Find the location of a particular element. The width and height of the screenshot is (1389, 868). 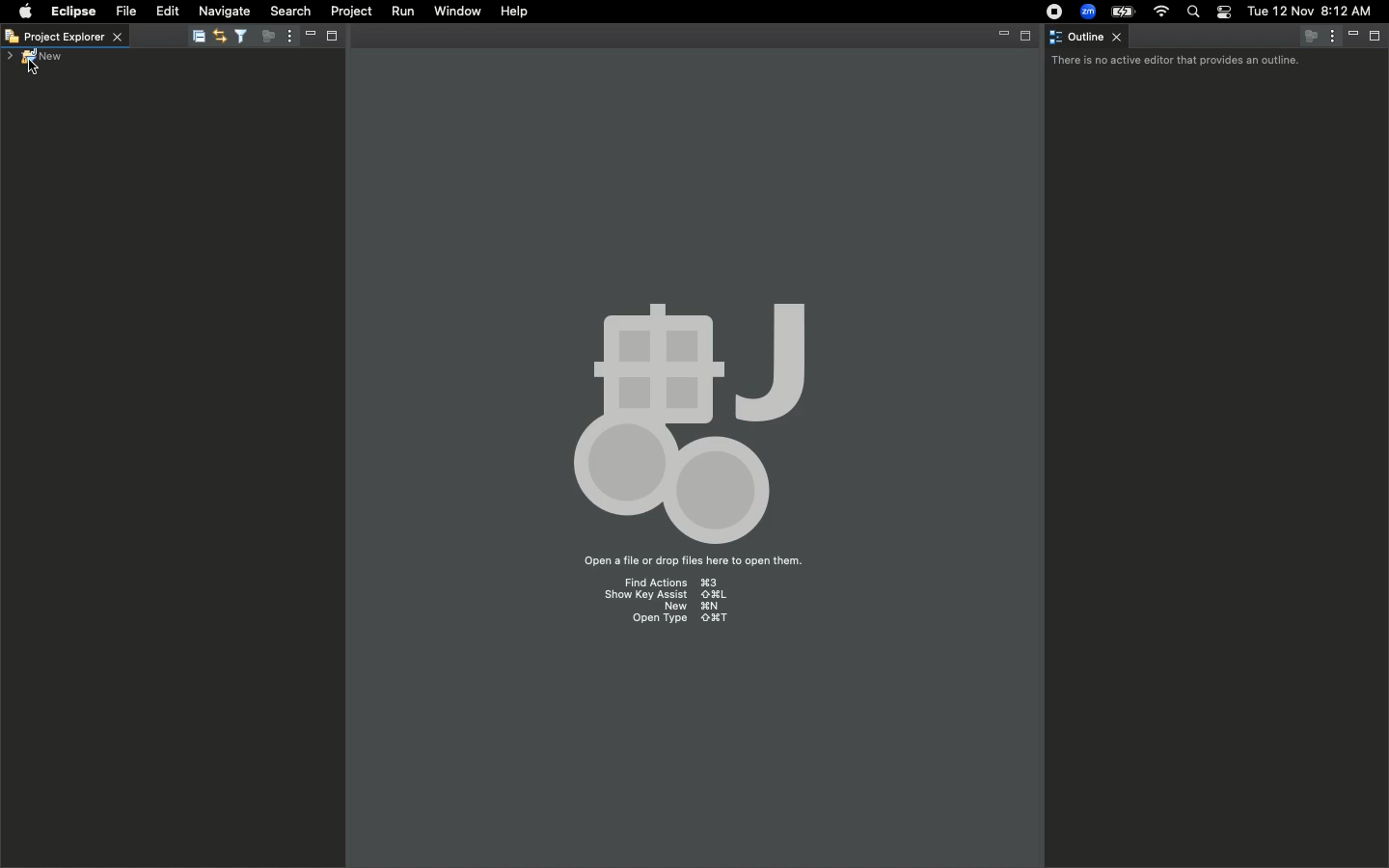

Filter is located at coordinates (239, 36).